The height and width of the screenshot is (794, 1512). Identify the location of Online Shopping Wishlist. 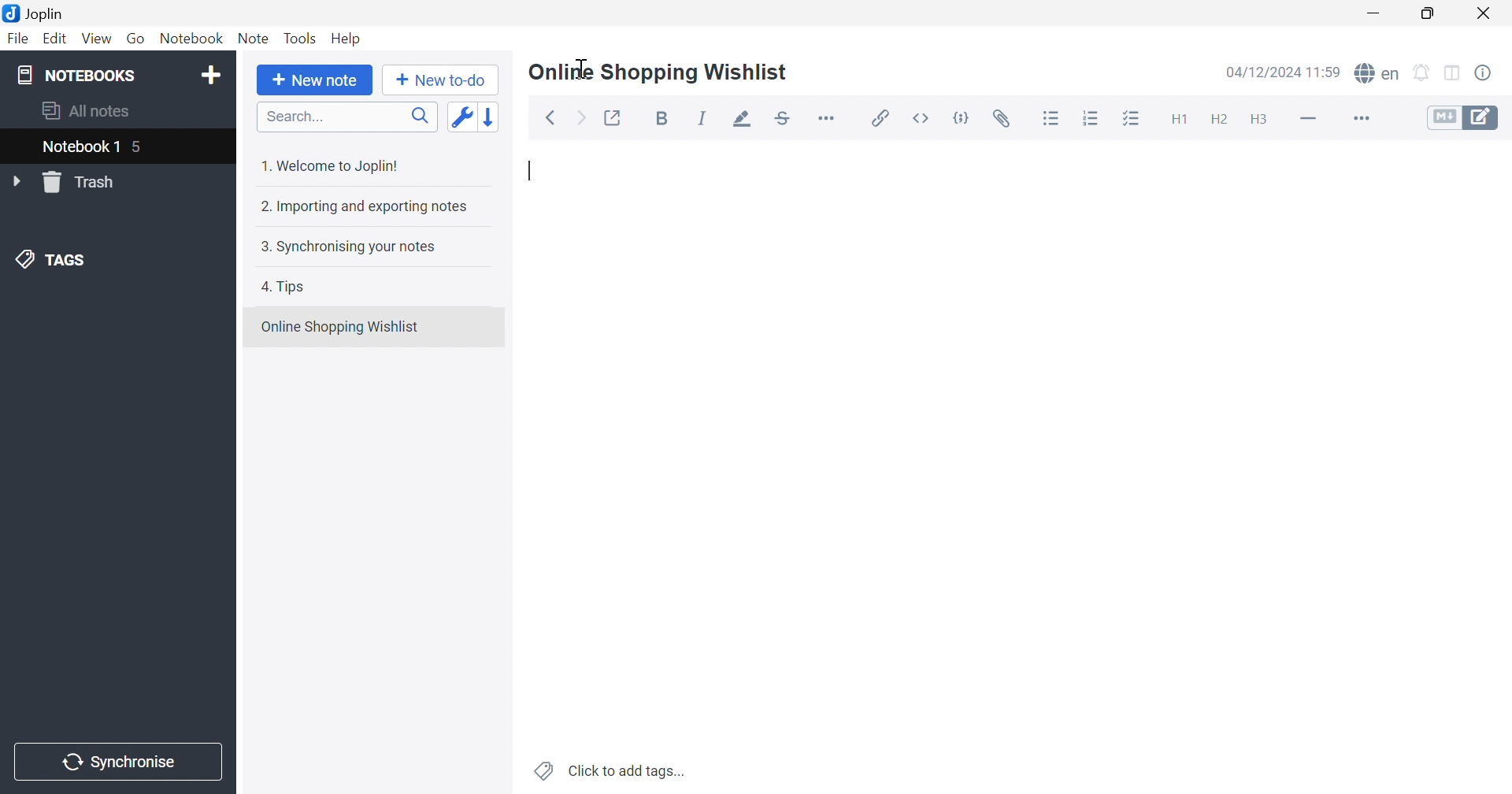
(341, 327).